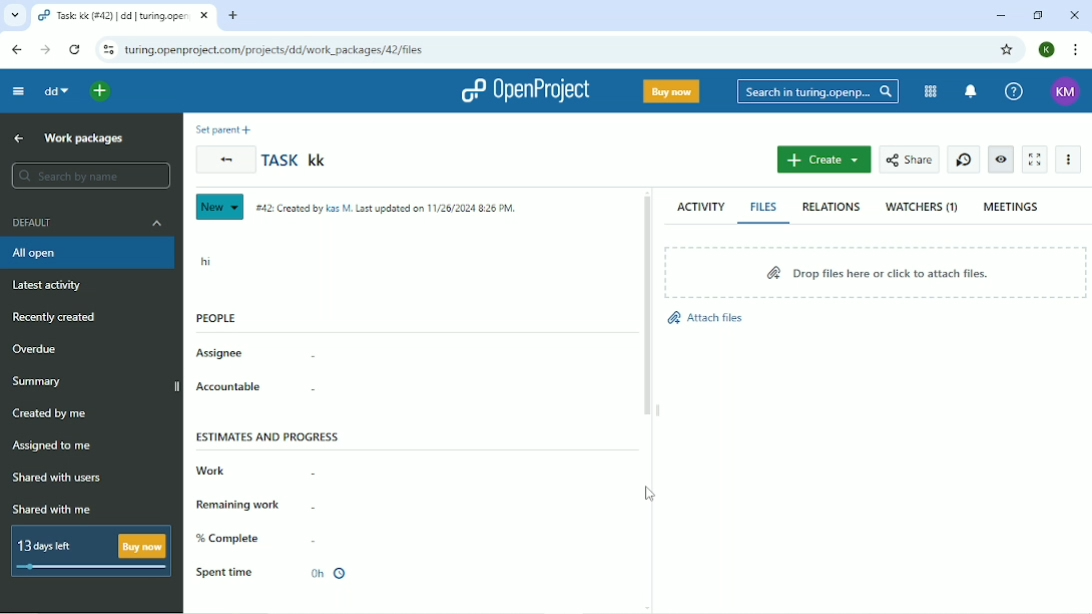  What do you see at coordinates (229, 538) in the screenshot?
I see `% Complete` at bounding box center [229, 538].